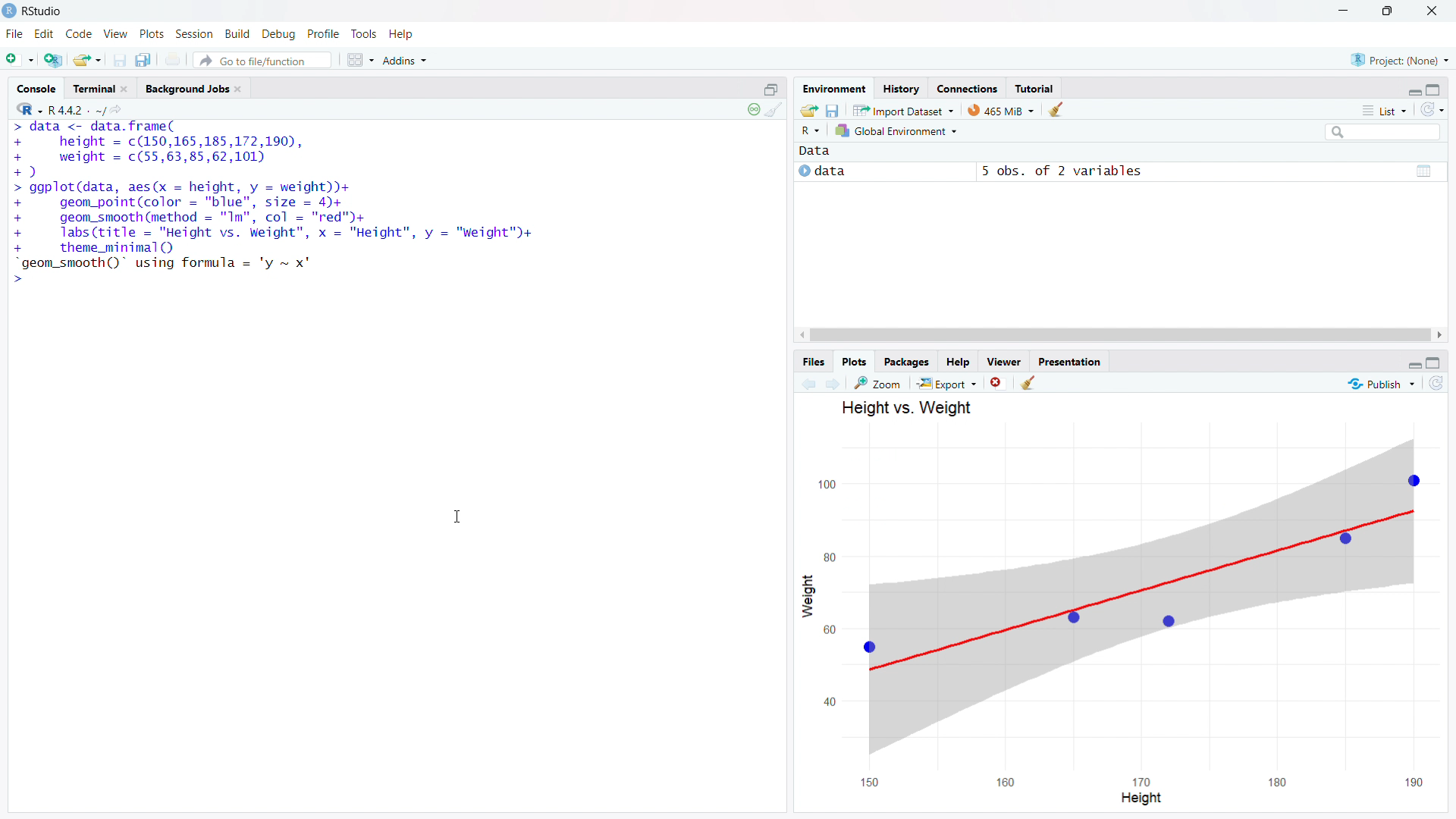  What do you see at coordinates (813, 362) in the screenshot?
I see `files` at bounding box center [813, 362].